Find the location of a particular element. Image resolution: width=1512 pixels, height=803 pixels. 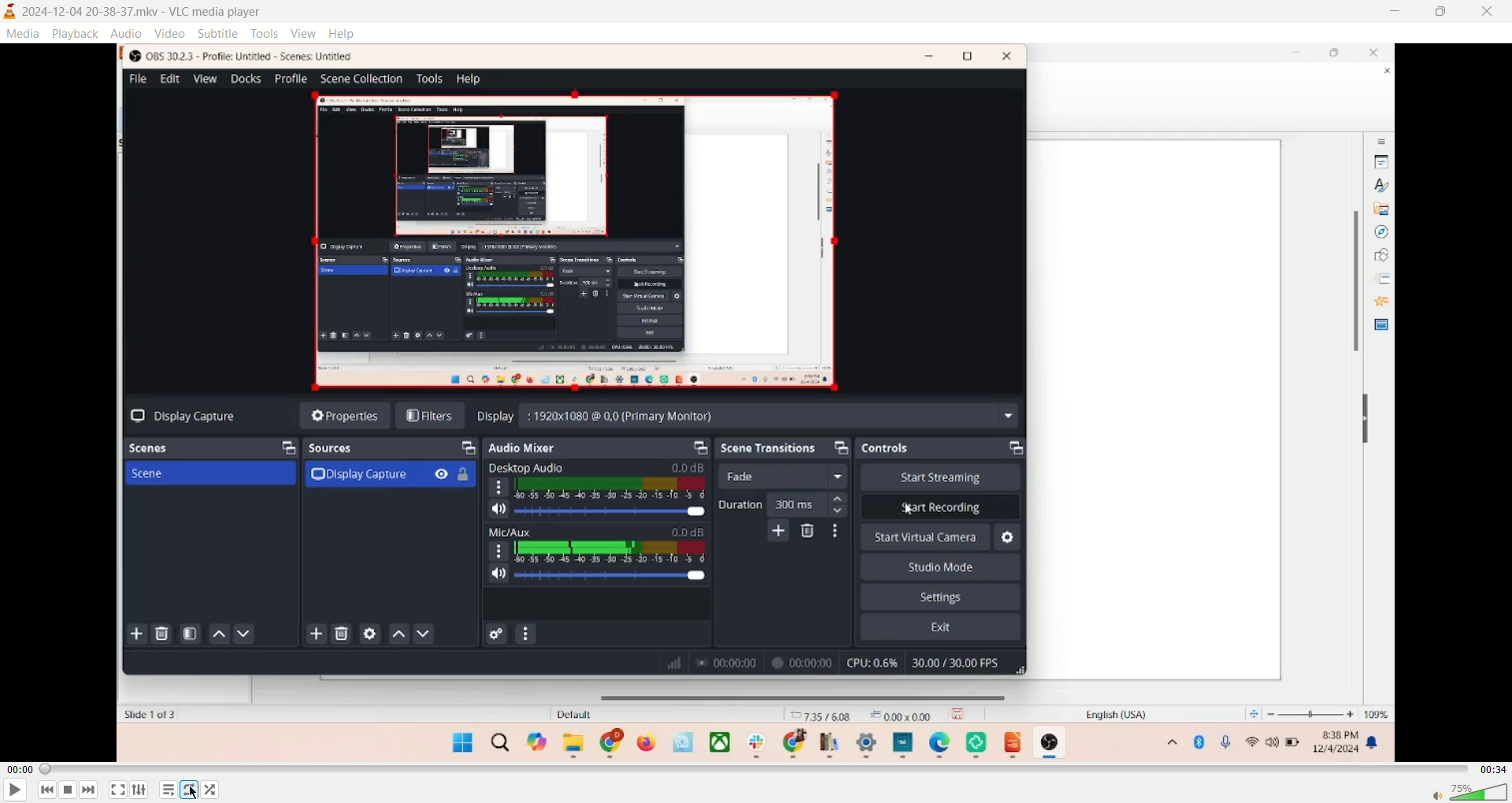

volume bar is located at coordinates (1479, 790).